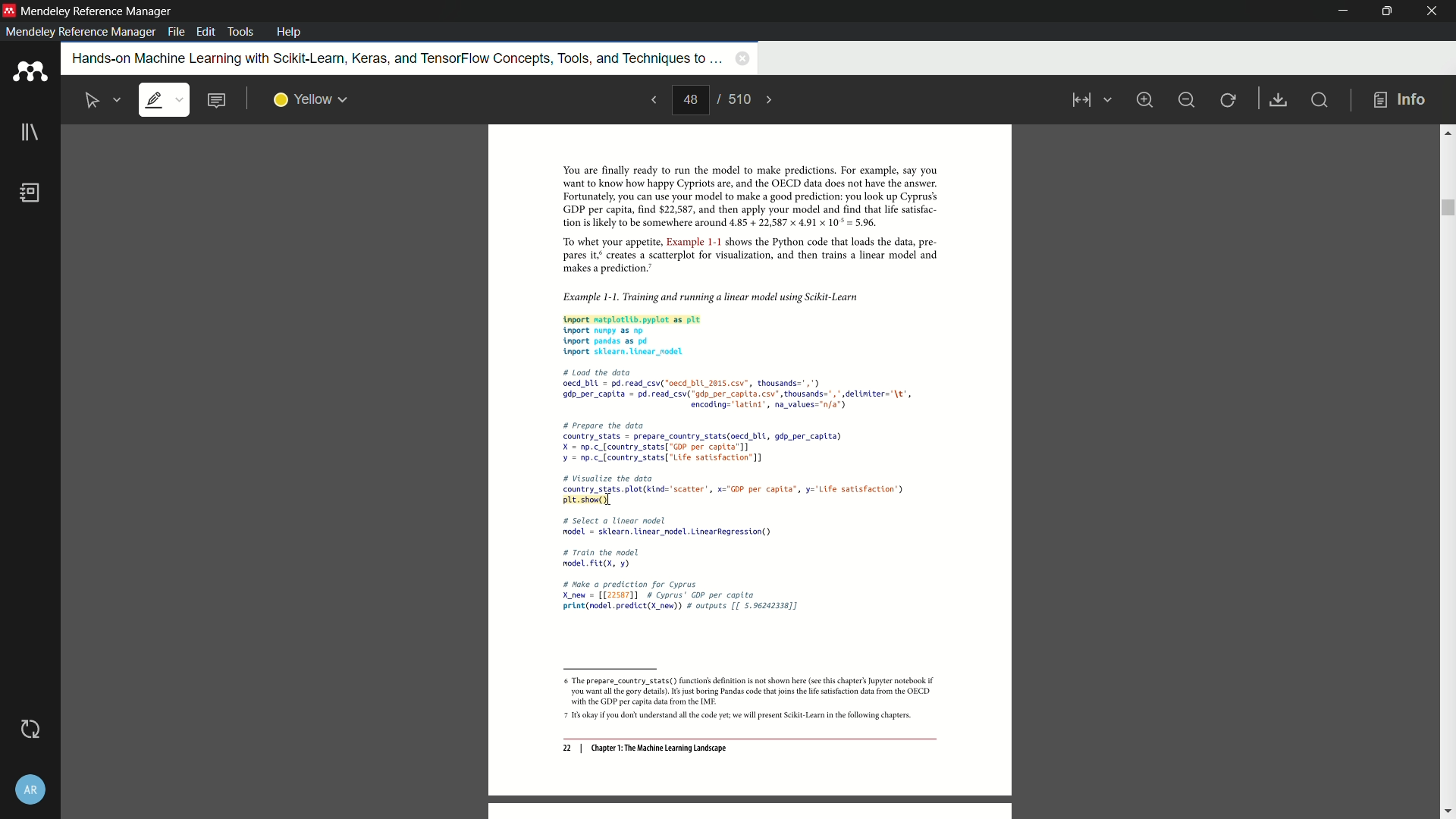  I want to click on help menu, so click(289, 32).